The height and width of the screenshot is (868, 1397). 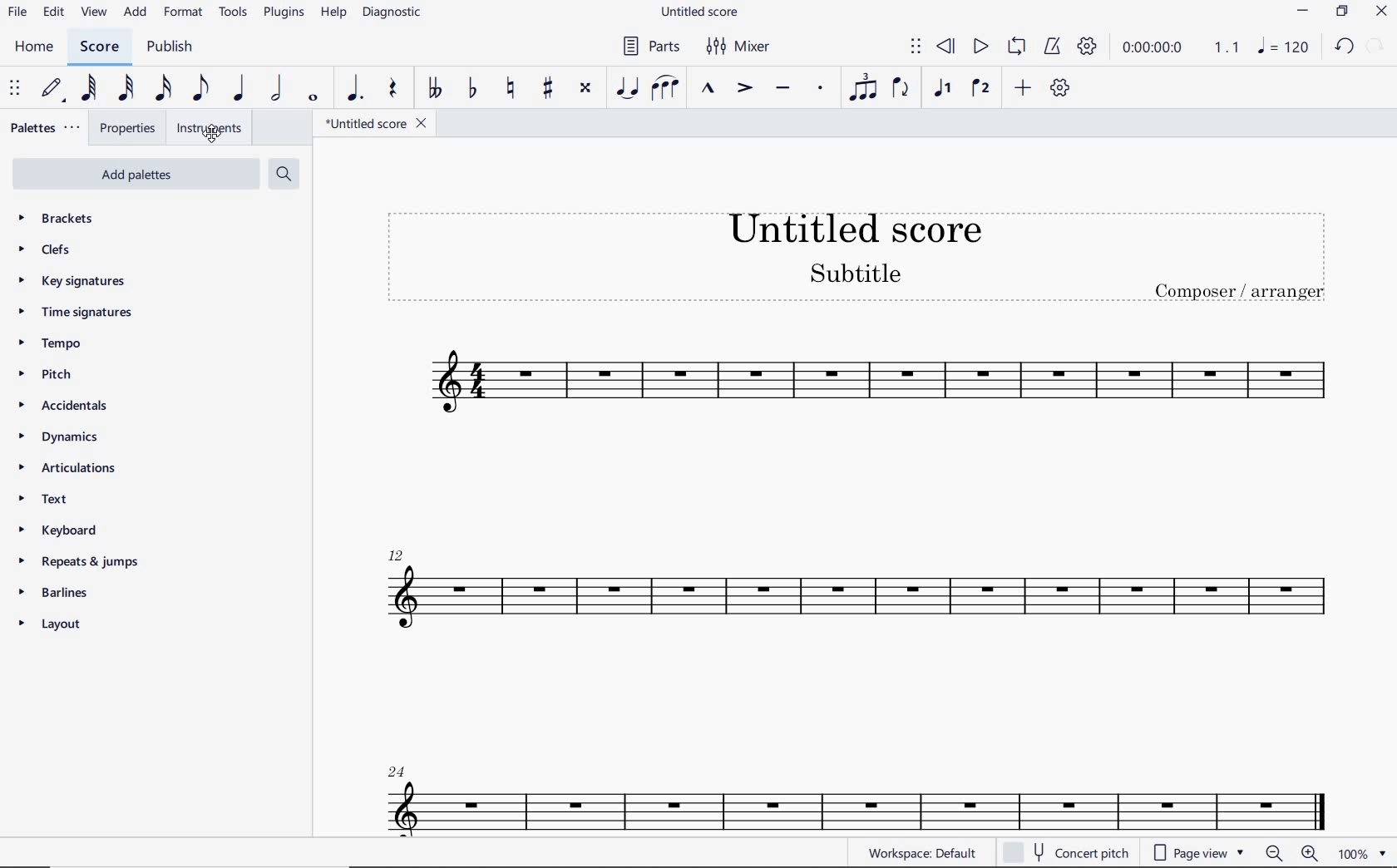 What do you see at coordinates (283, 173) in the screenshot?
I see `search palettes` at bounding box center [283, 173].